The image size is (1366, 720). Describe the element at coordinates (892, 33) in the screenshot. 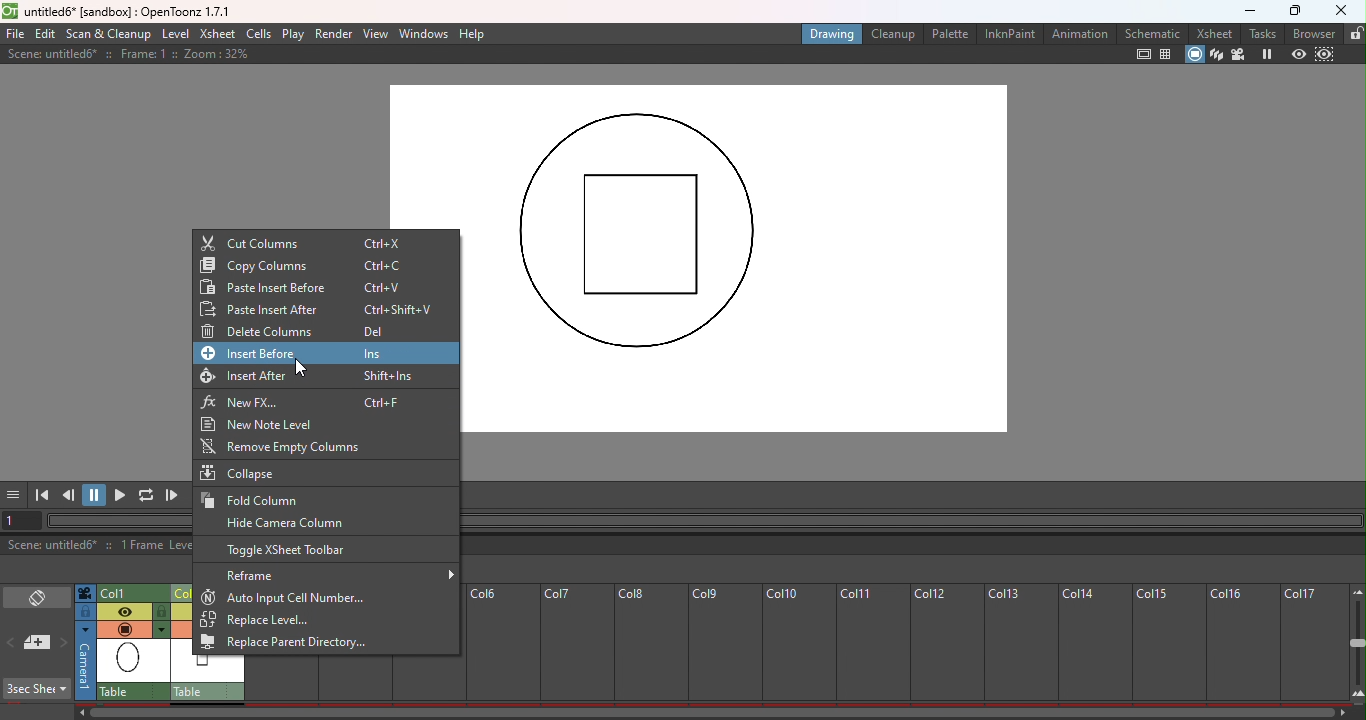

I see `Cleanup` at that location.